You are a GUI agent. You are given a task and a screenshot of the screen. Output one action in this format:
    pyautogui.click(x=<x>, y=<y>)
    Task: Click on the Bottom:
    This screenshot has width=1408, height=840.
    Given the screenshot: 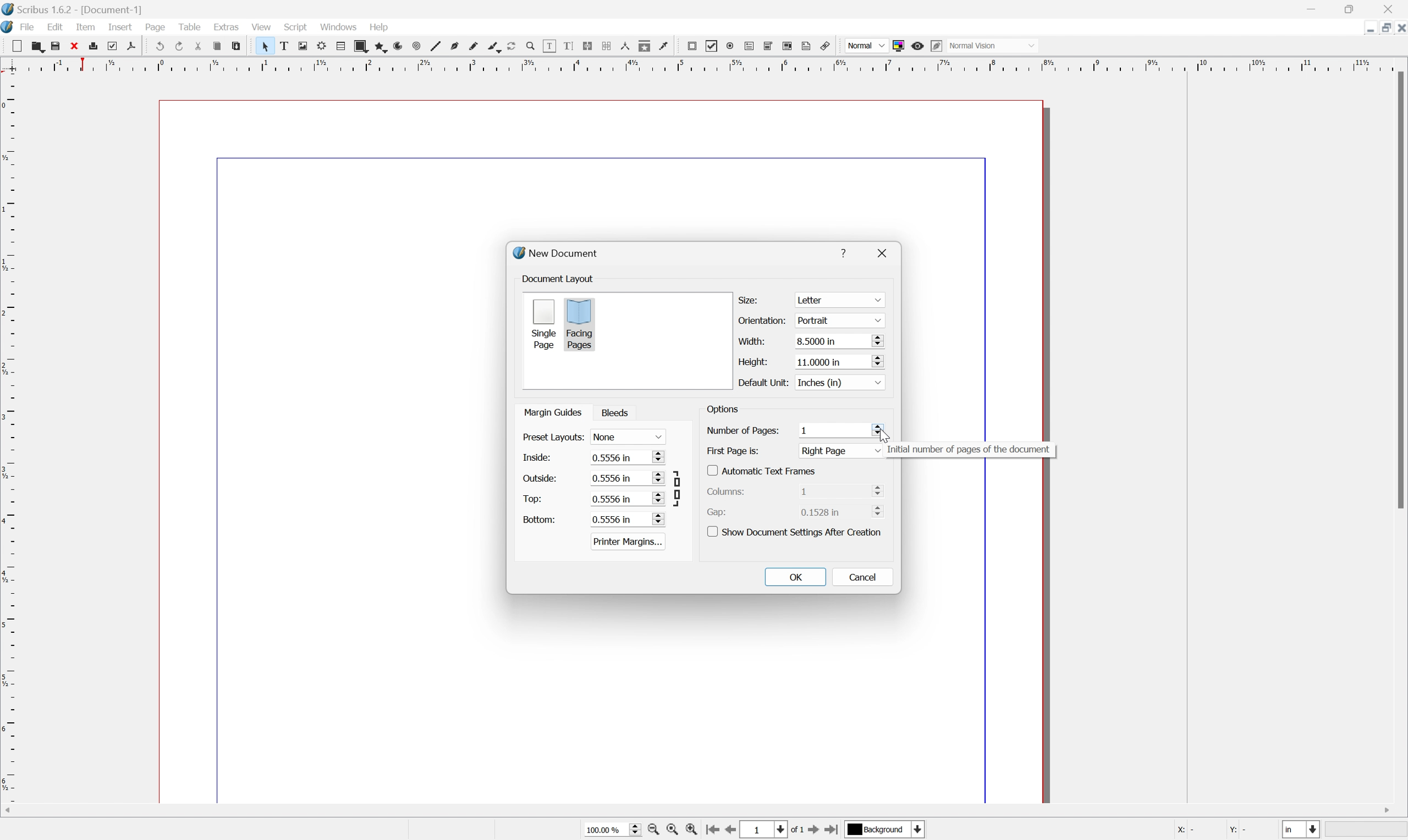 What is the action you would take?
    pyautogui.click(x=540, y=519)
    